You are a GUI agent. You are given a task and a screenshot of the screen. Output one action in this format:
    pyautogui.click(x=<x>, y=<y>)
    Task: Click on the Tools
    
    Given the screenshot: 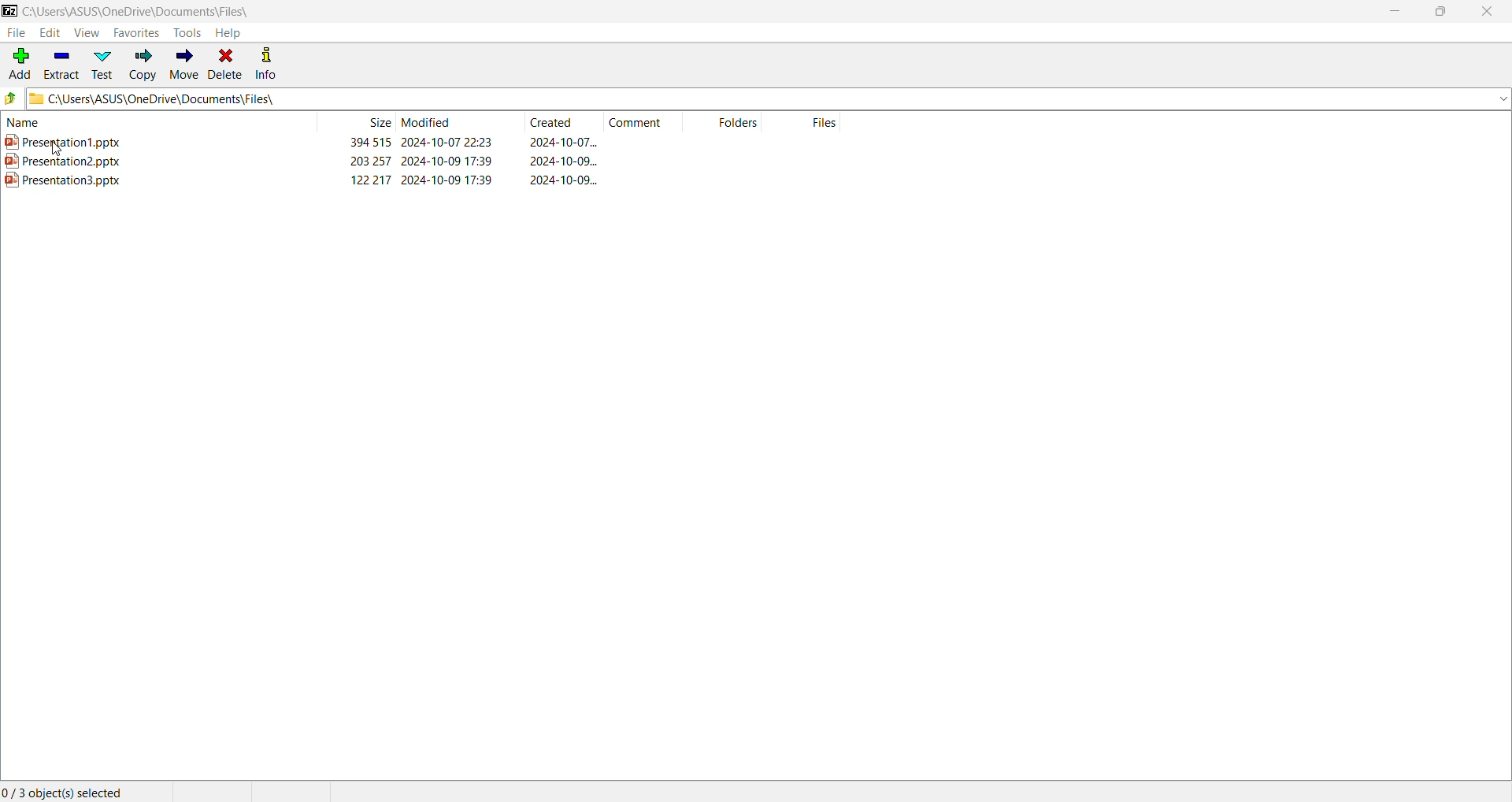 What is the action you would take?
    pyautogui.click(x=185, y=32)
    